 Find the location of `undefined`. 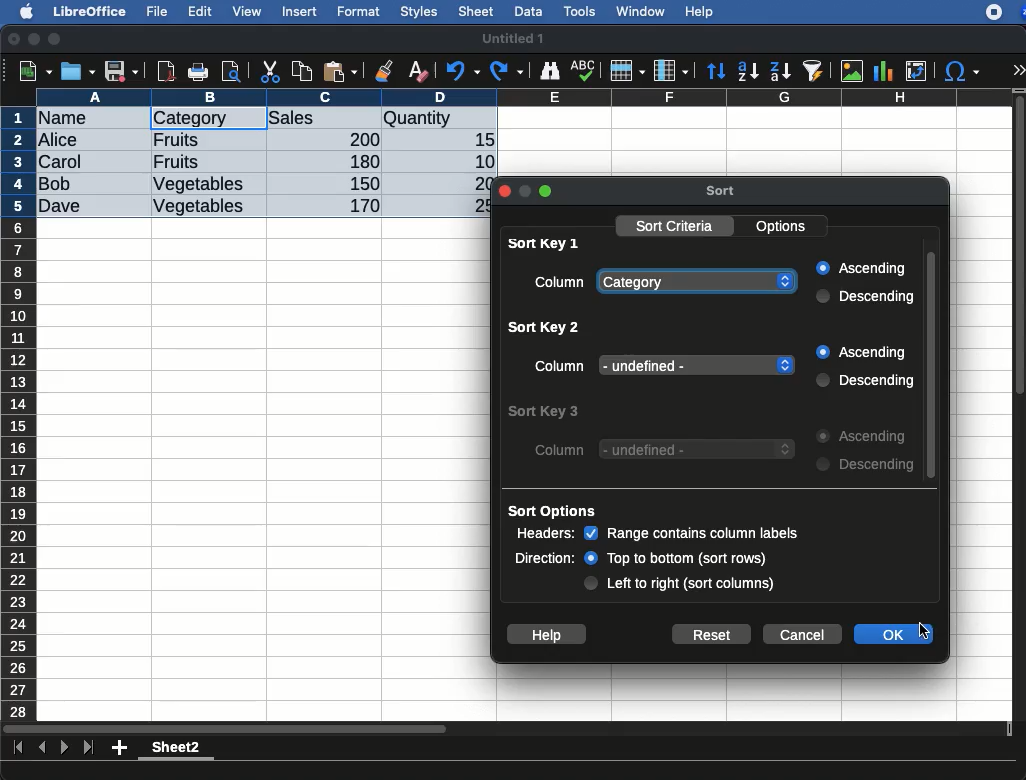

undefined is located at coordinates (697, 363).